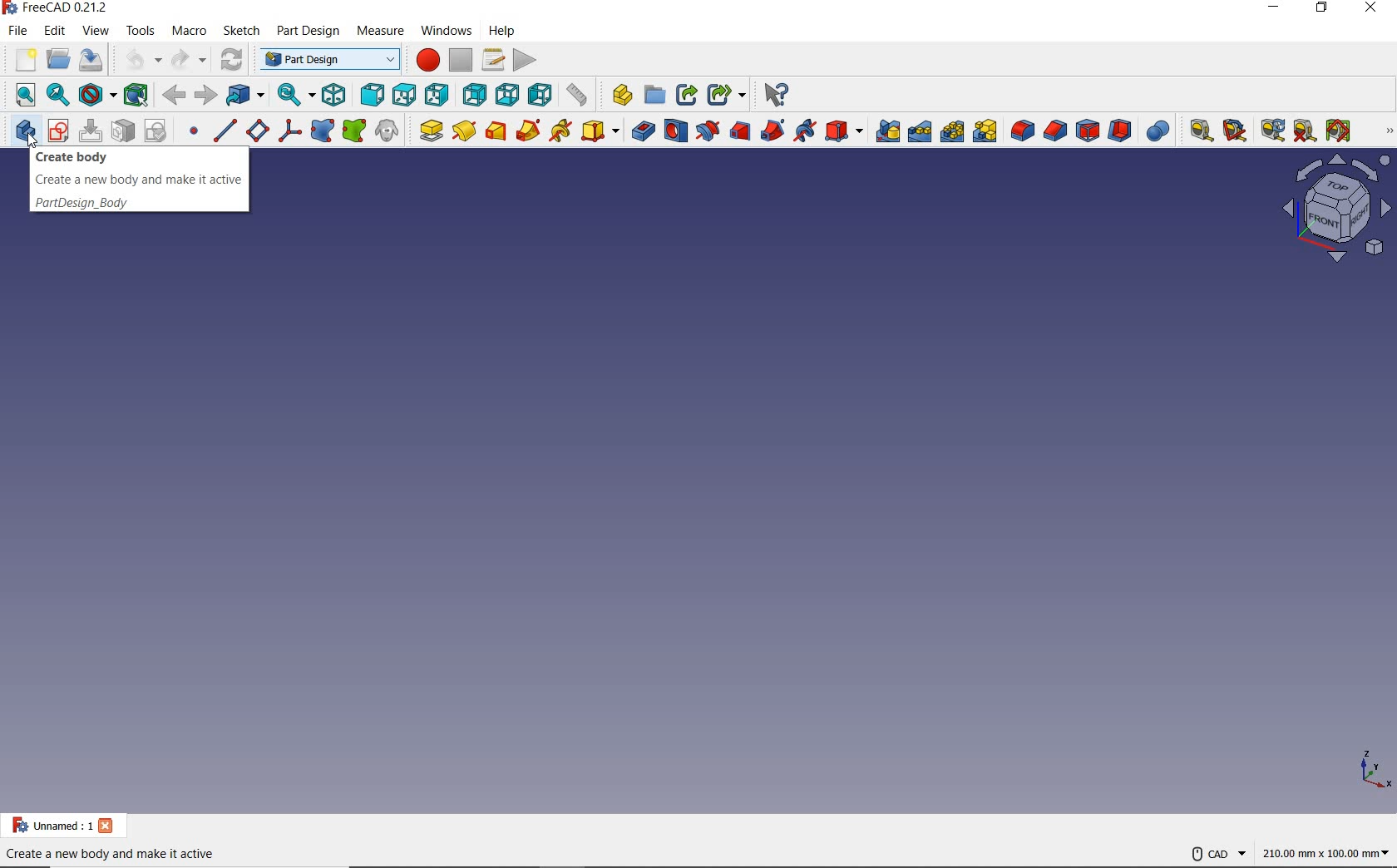 Image resolution: width=1397 pixels, height=868 pixels. Describe the element at coordinates (1328, 852) in the screenshot. I see `dimensions` at that location.